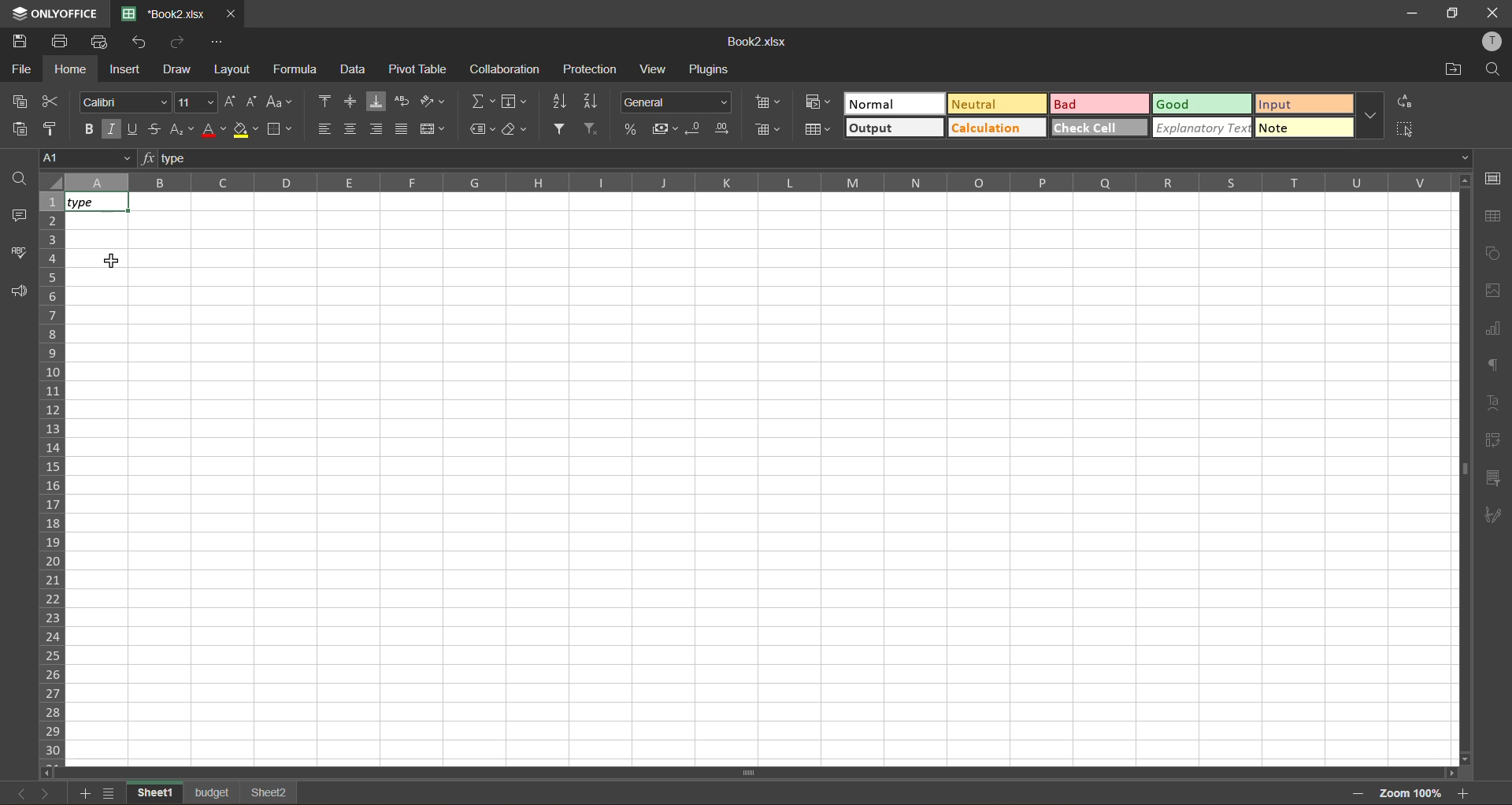 The height and width of the screenshot is (805, 1512). Describe the element at coordinates (482, 105) in the screenshot. I see `summation` at that location.